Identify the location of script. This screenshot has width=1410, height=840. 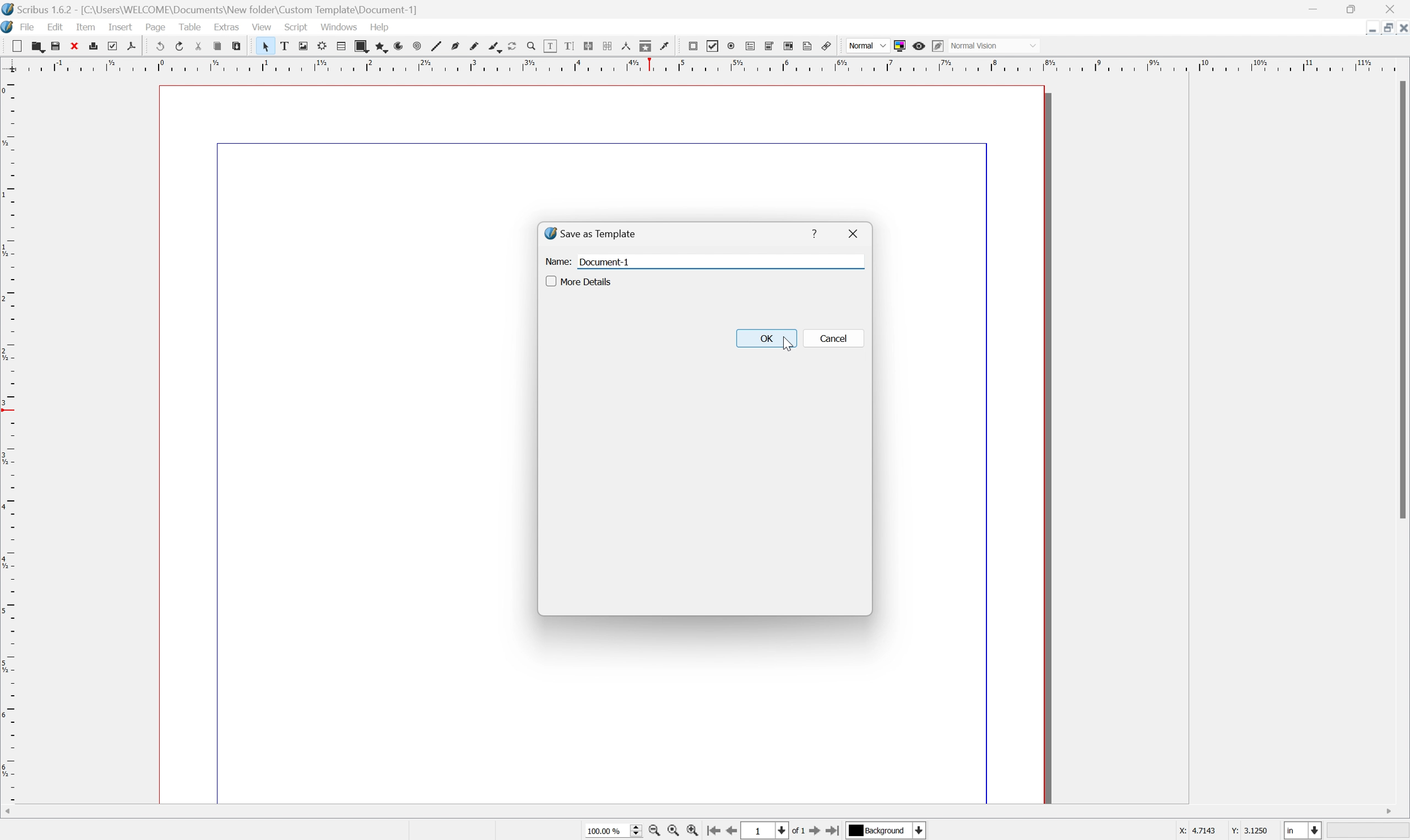
(297, 27).